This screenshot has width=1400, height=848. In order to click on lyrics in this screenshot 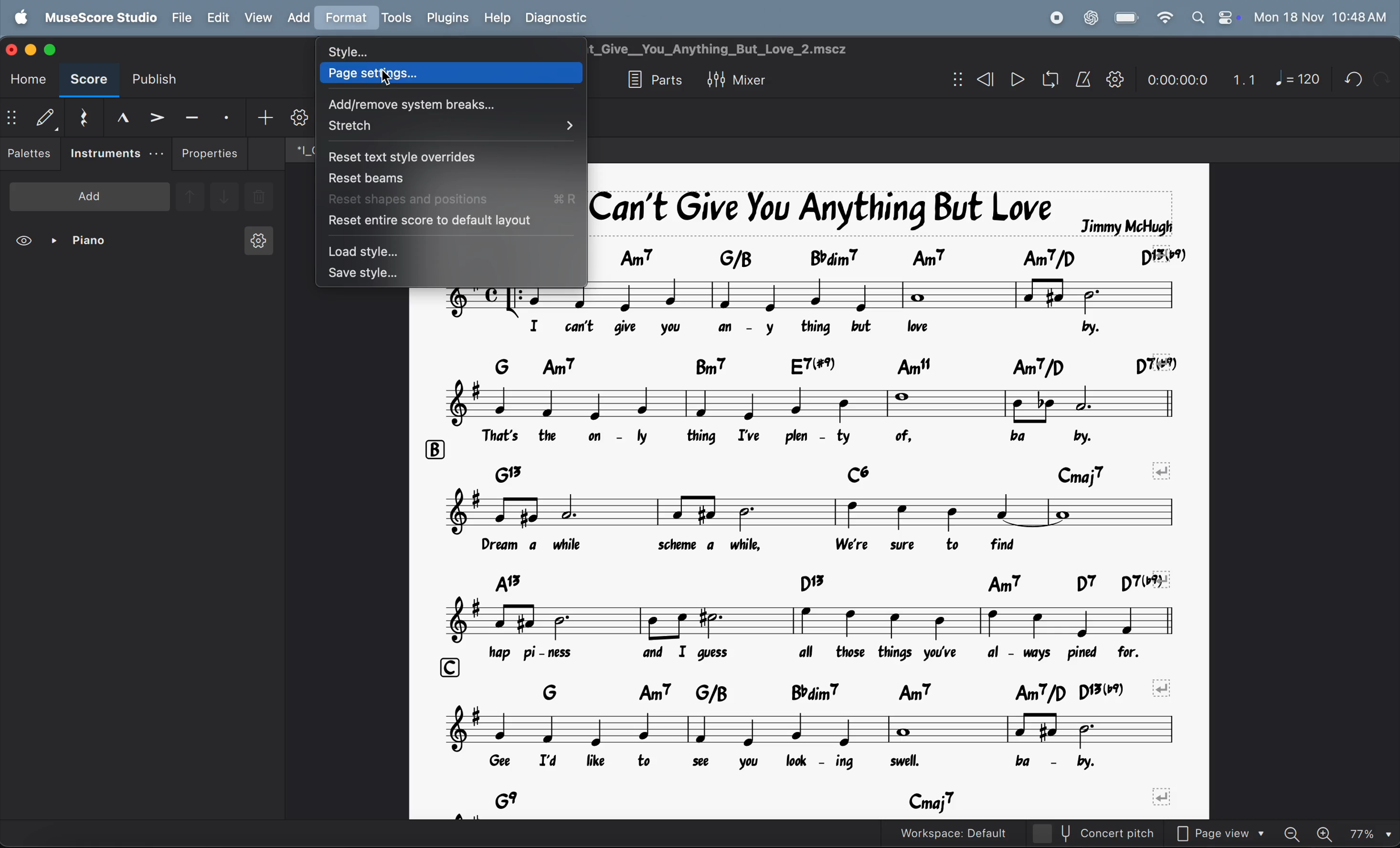, I will do `click(803, 548)`.